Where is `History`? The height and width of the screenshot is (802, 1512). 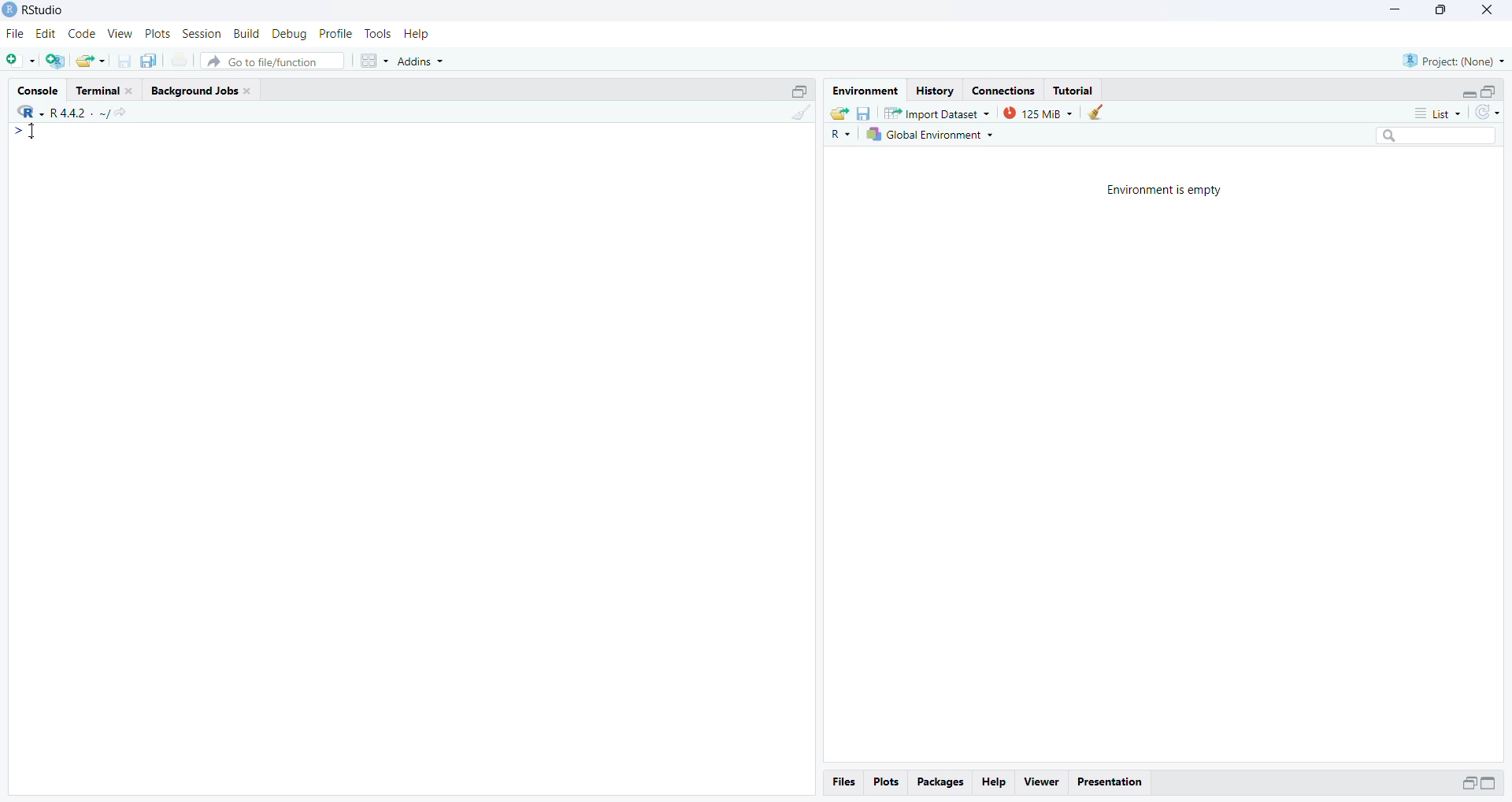 History is located at coordinates (934, 89).